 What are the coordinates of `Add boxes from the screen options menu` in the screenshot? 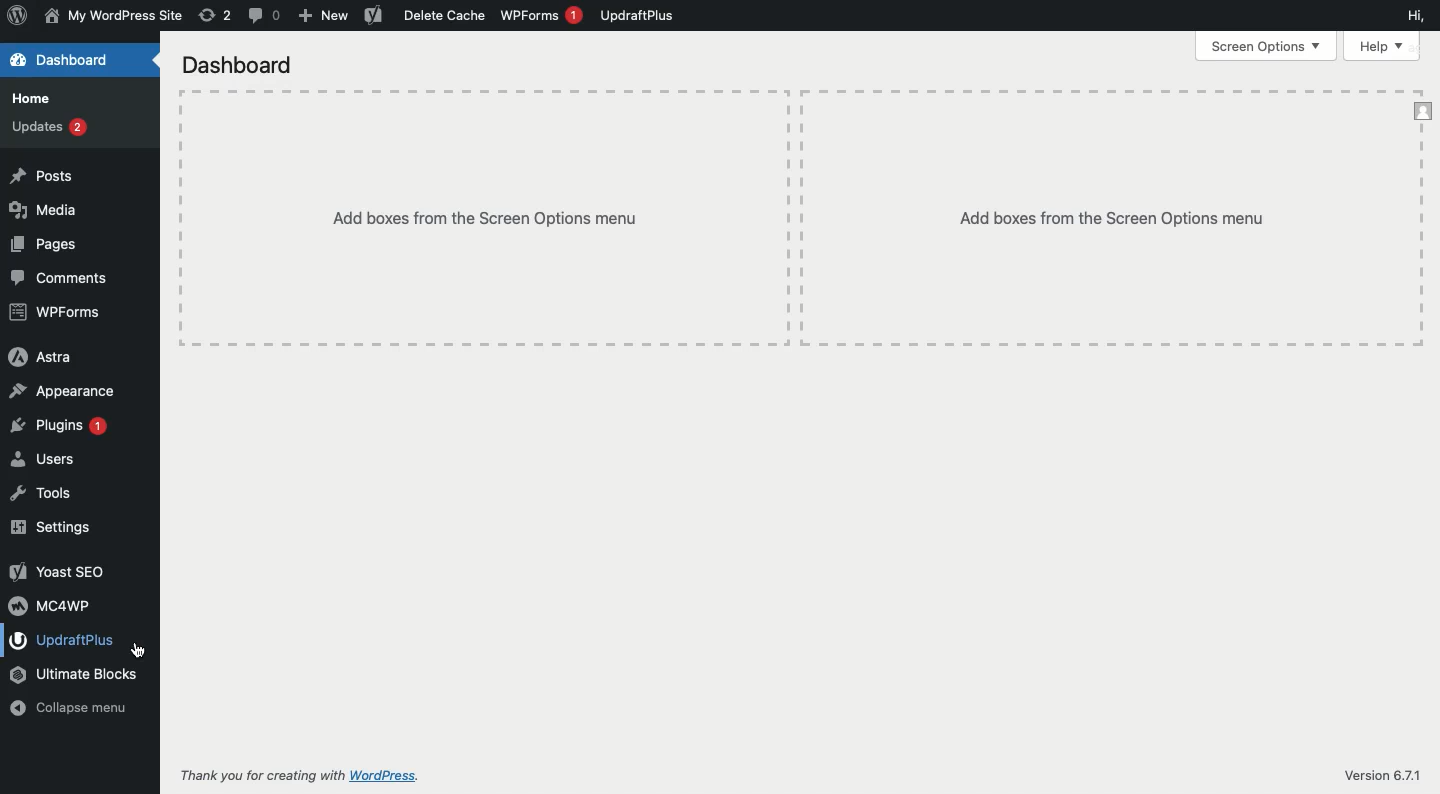 It's located at (800, 219).